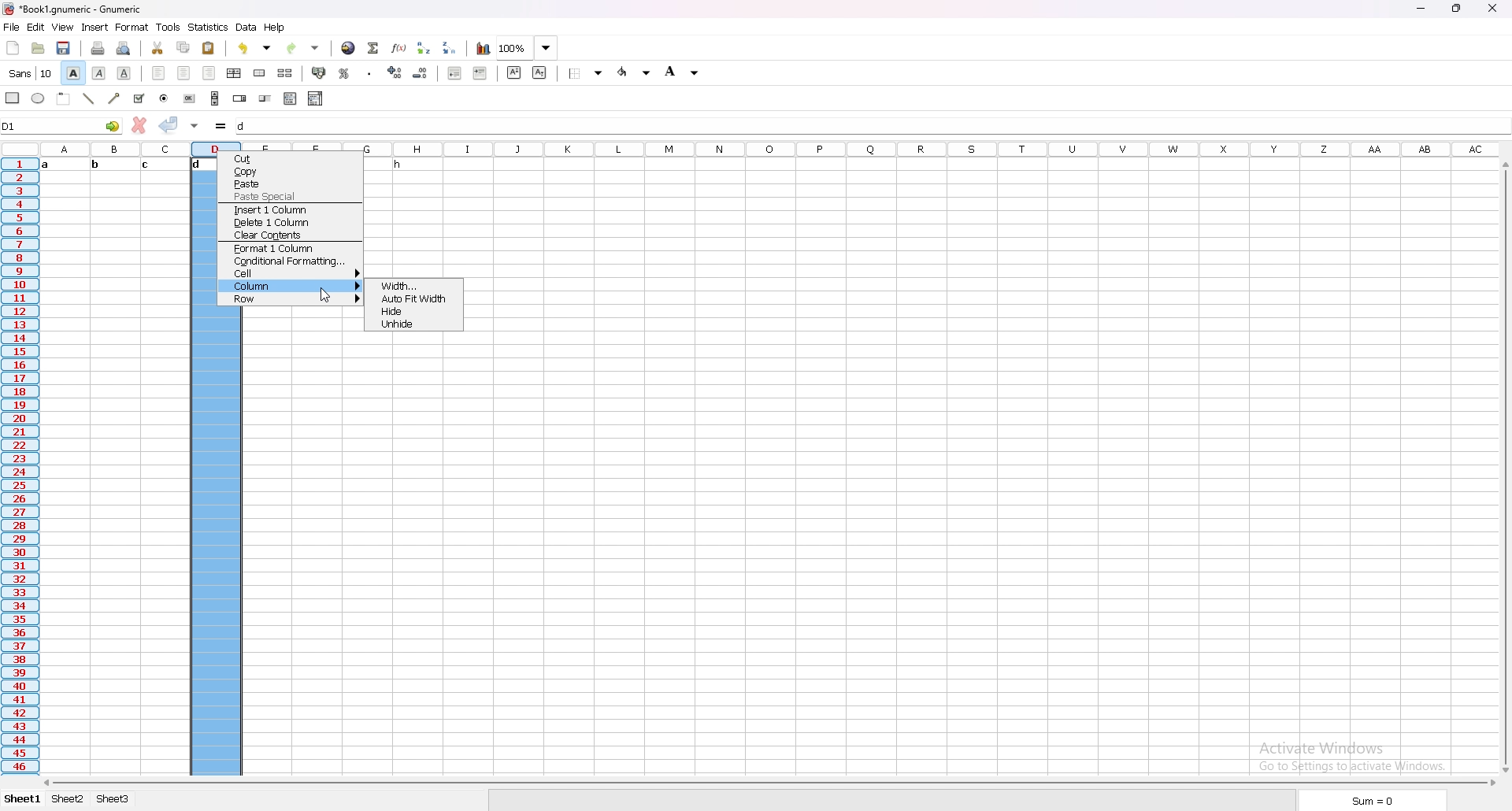 This screenshot has width=1512, height=811. What do you see at coordinates (260, 72) in the screenshot?
I see `merge cell` at bounding box center [260, 72].